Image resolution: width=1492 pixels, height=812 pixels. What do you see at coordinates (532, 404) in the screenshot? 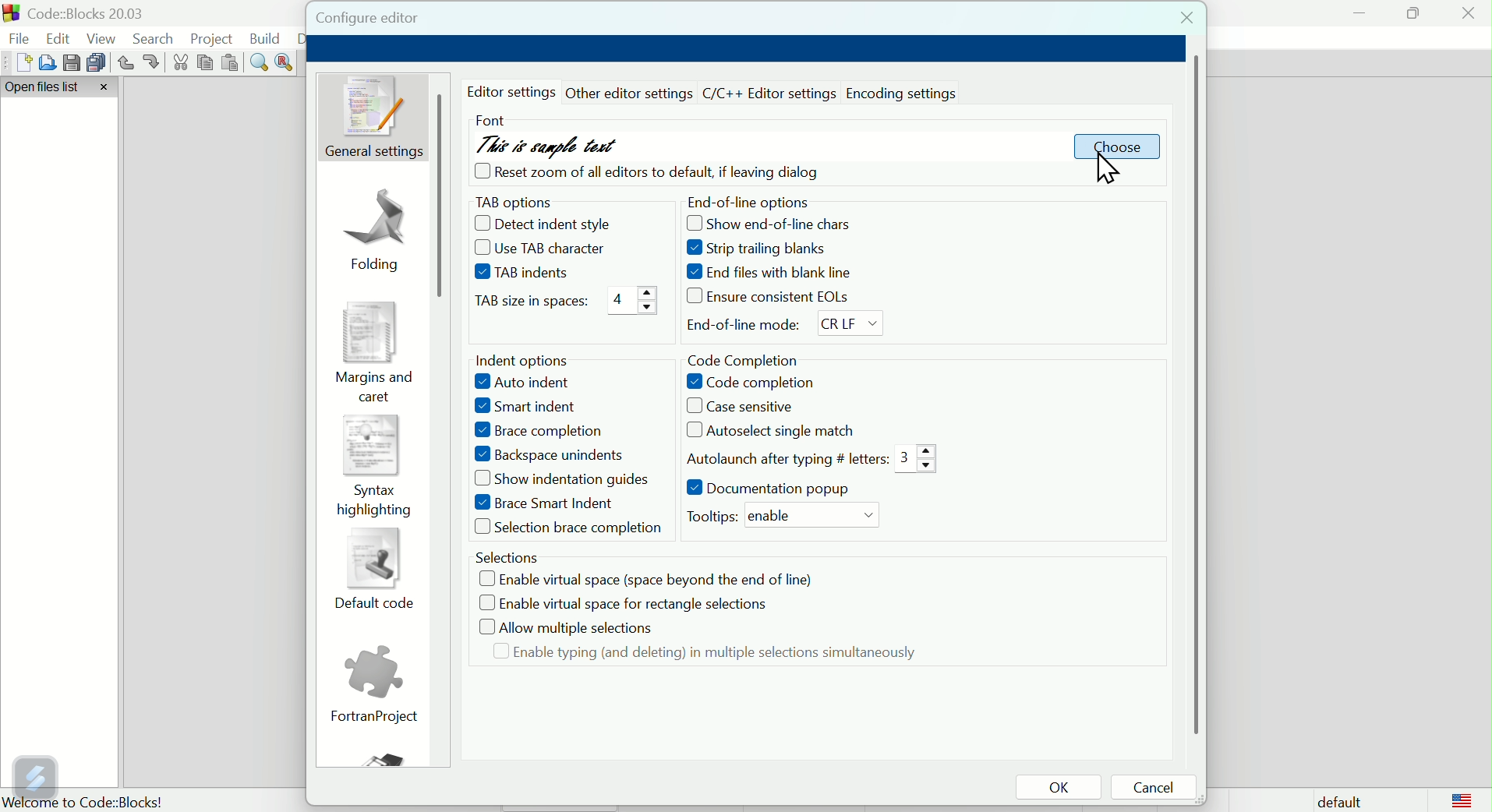
I see `Smart Indent` at bounding box center [532, 404].